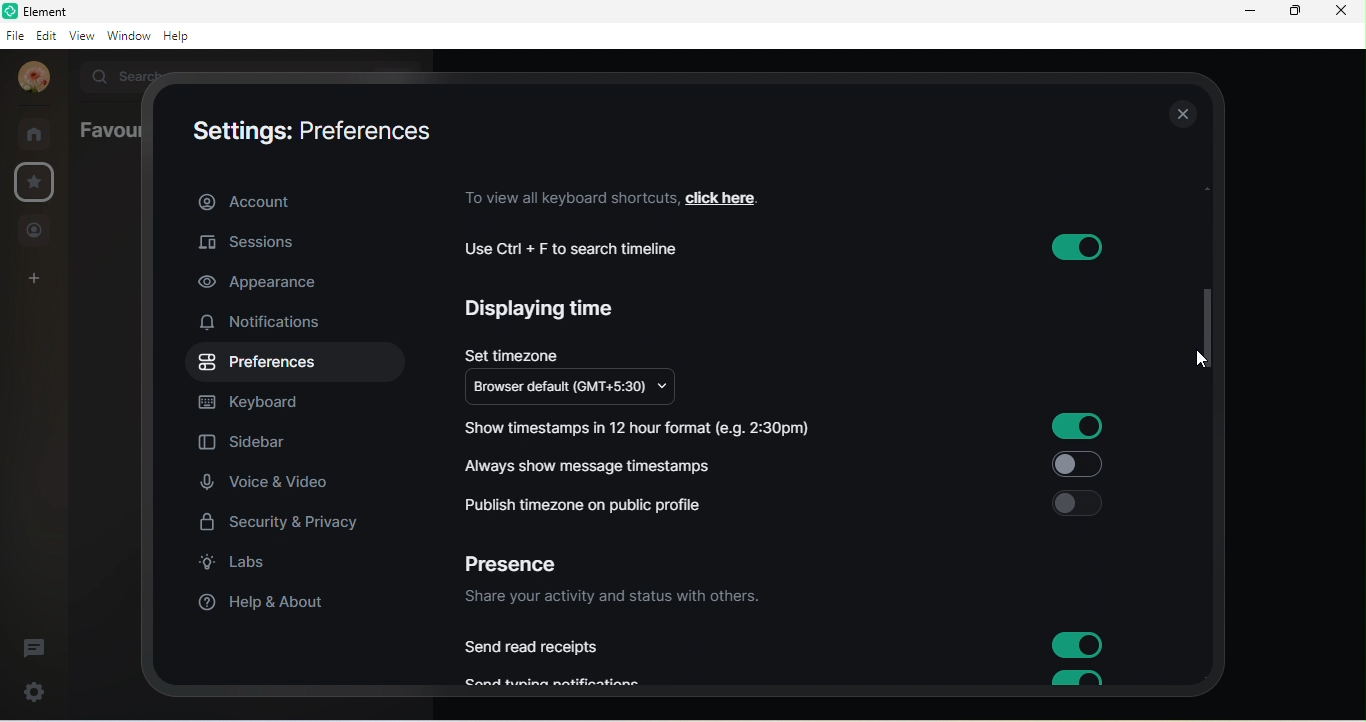  Describe the element at coordinates (564, 681) in the screenshot. I see `Send typing notifications` at that location.